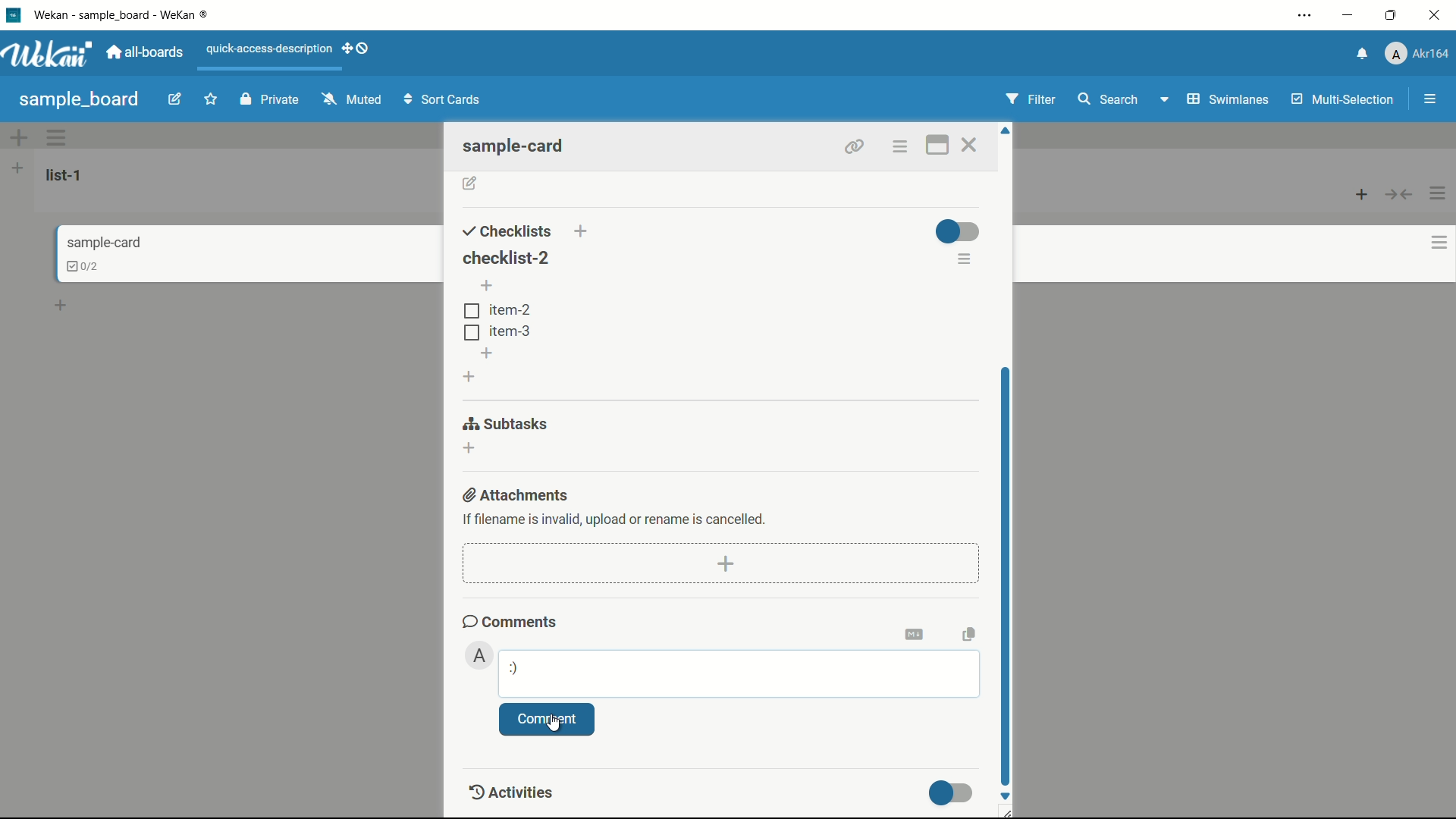 Image resolution: width=1456 pixels, height=819 pixels. Describe the element at coordinates (74, 265) in the screenshot. I see `checklist` at that location.